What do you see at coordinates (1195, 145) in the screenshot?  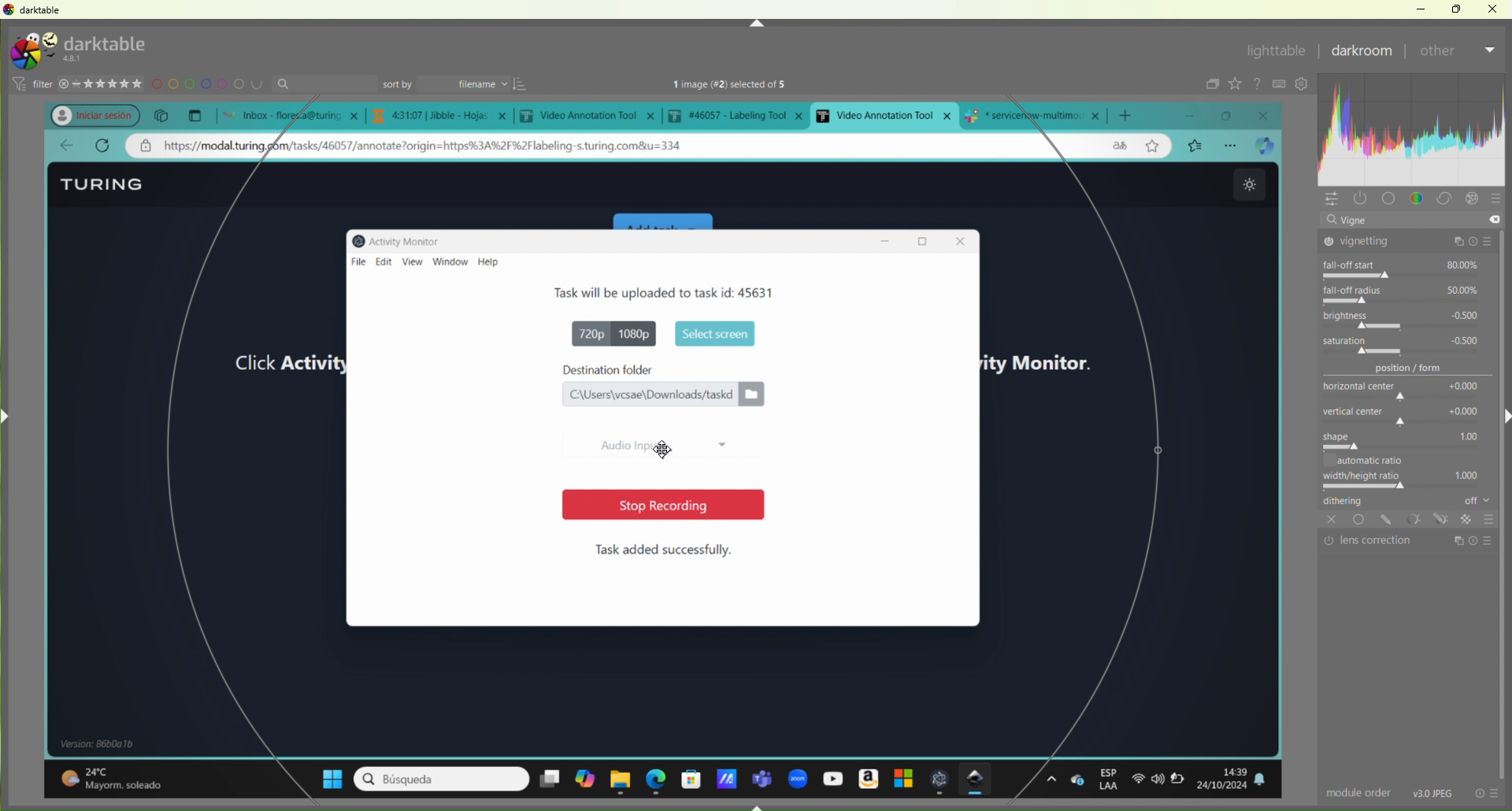 I see `bookmarks` at bounding box center [1195, 145].